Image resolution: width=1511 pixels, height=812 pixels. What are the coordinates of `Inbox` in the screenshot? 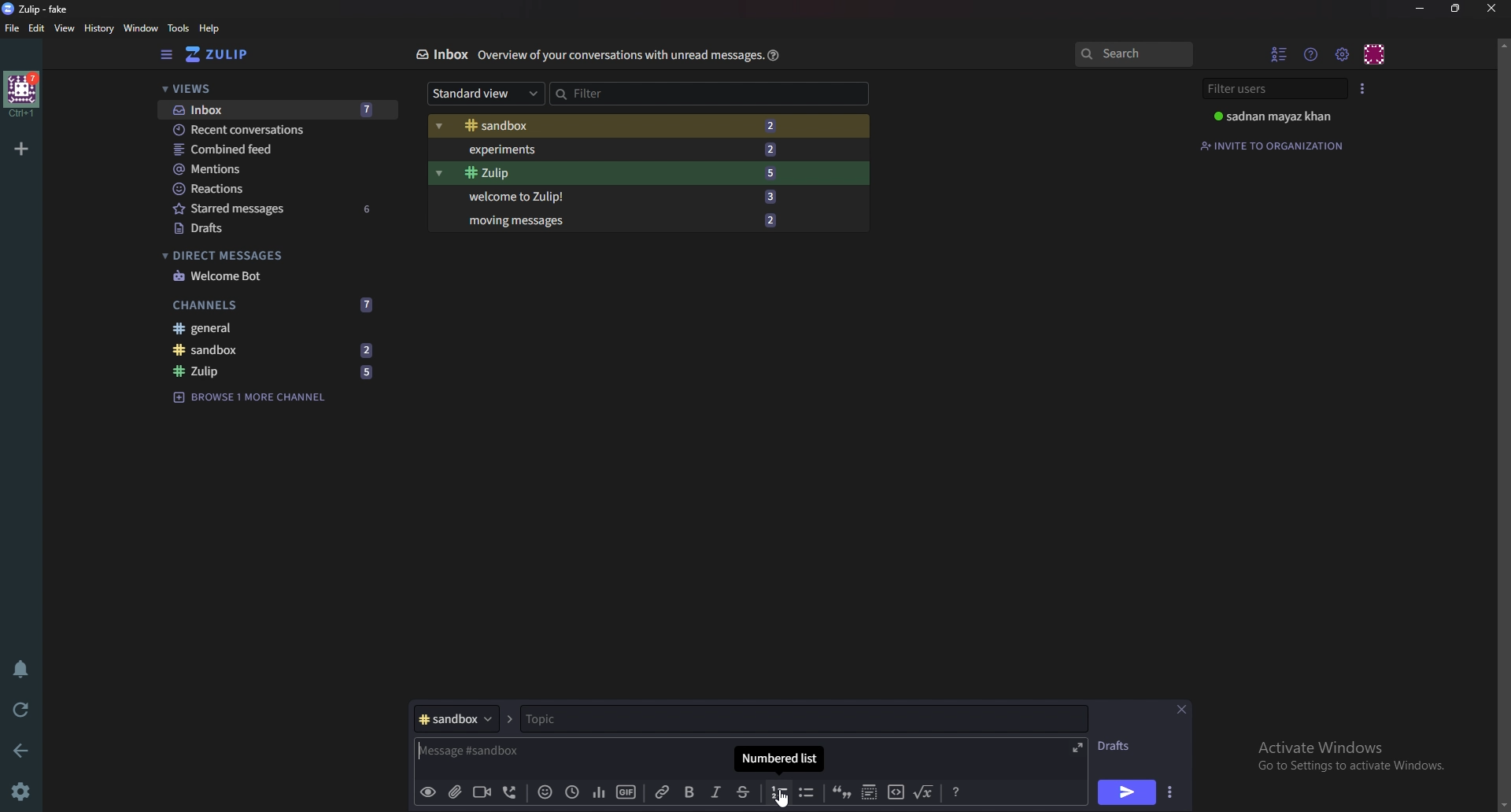 It's located at (441, 54).